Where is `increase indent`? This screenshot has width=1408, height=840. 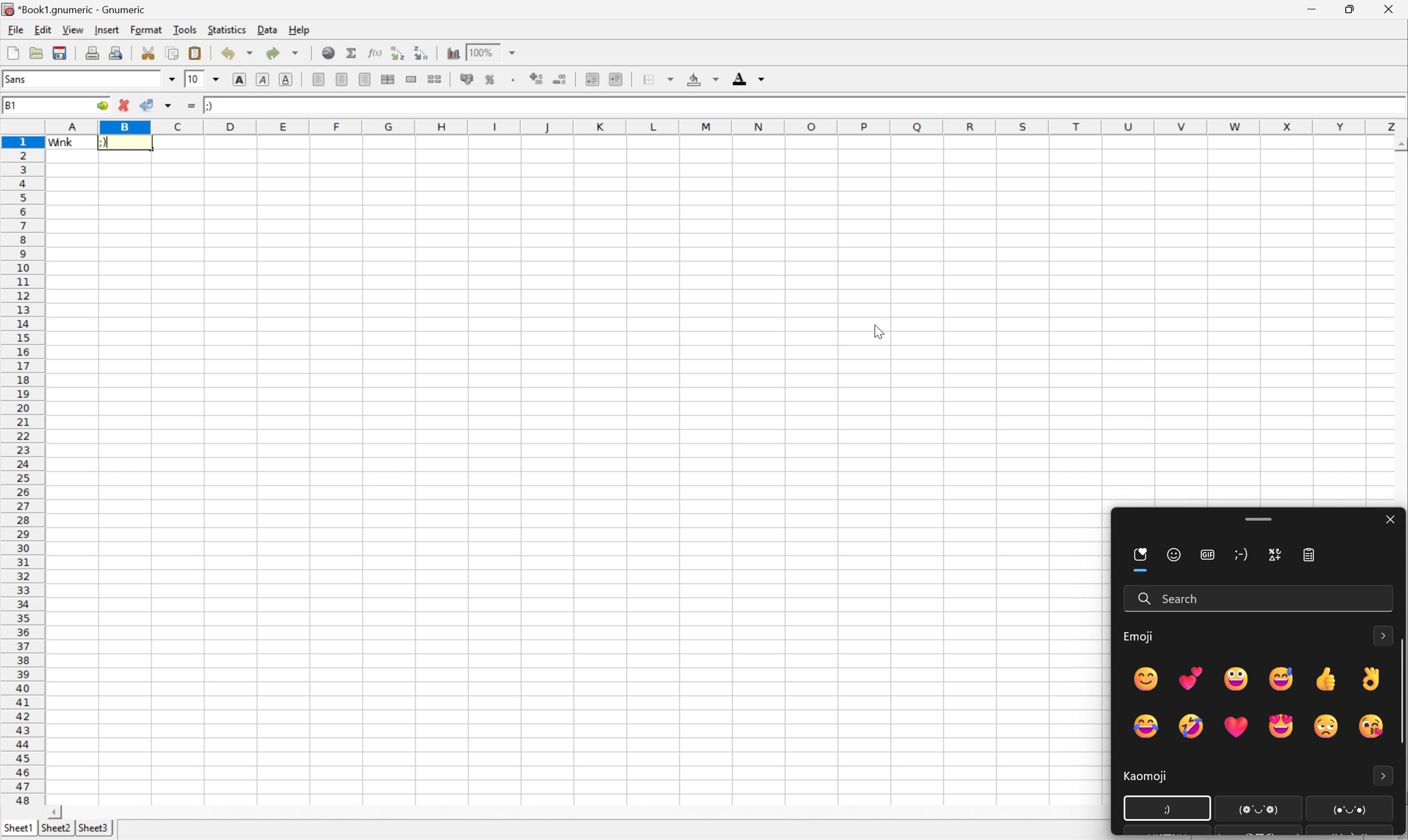 increase indent is located at coordinates (617, 78).